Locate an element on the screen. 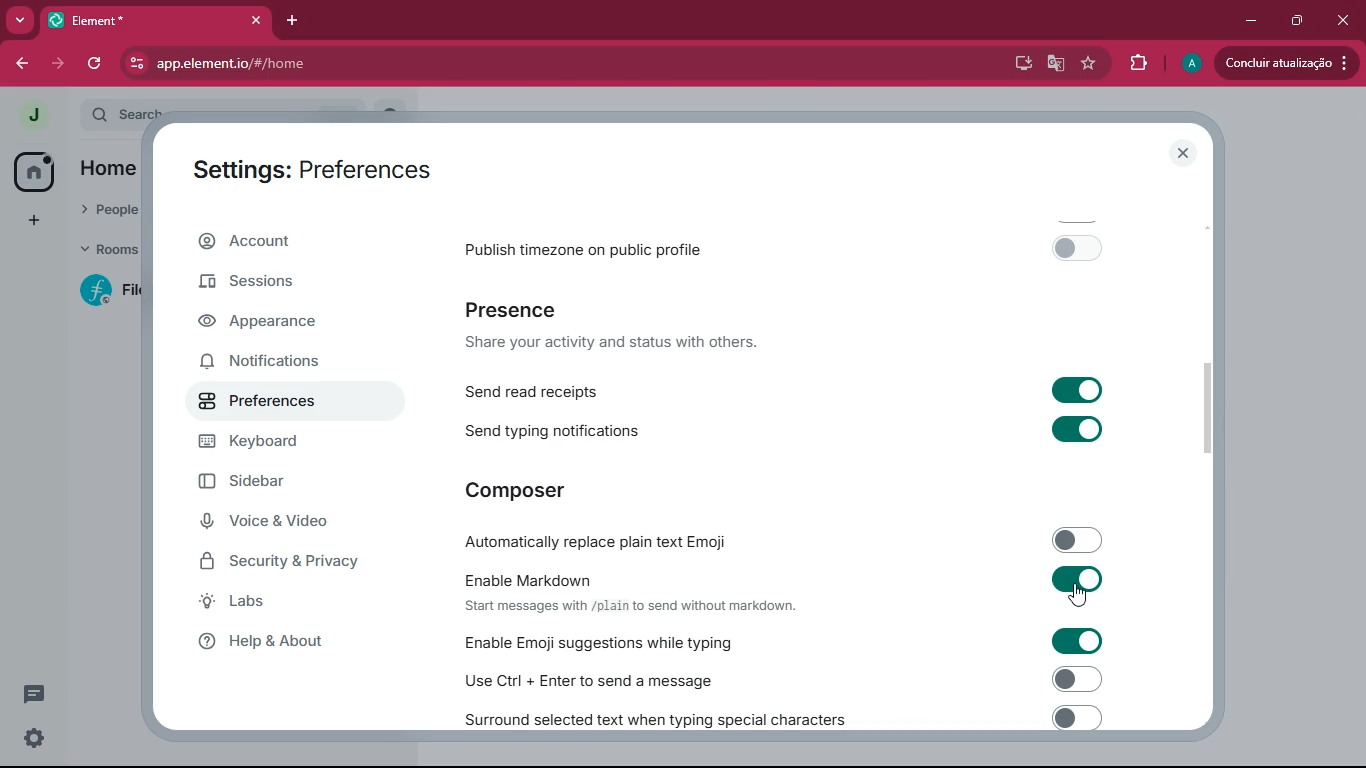 The height and width of the screenshot is (768, 1366). send typing is located at coordinates (785, 430).